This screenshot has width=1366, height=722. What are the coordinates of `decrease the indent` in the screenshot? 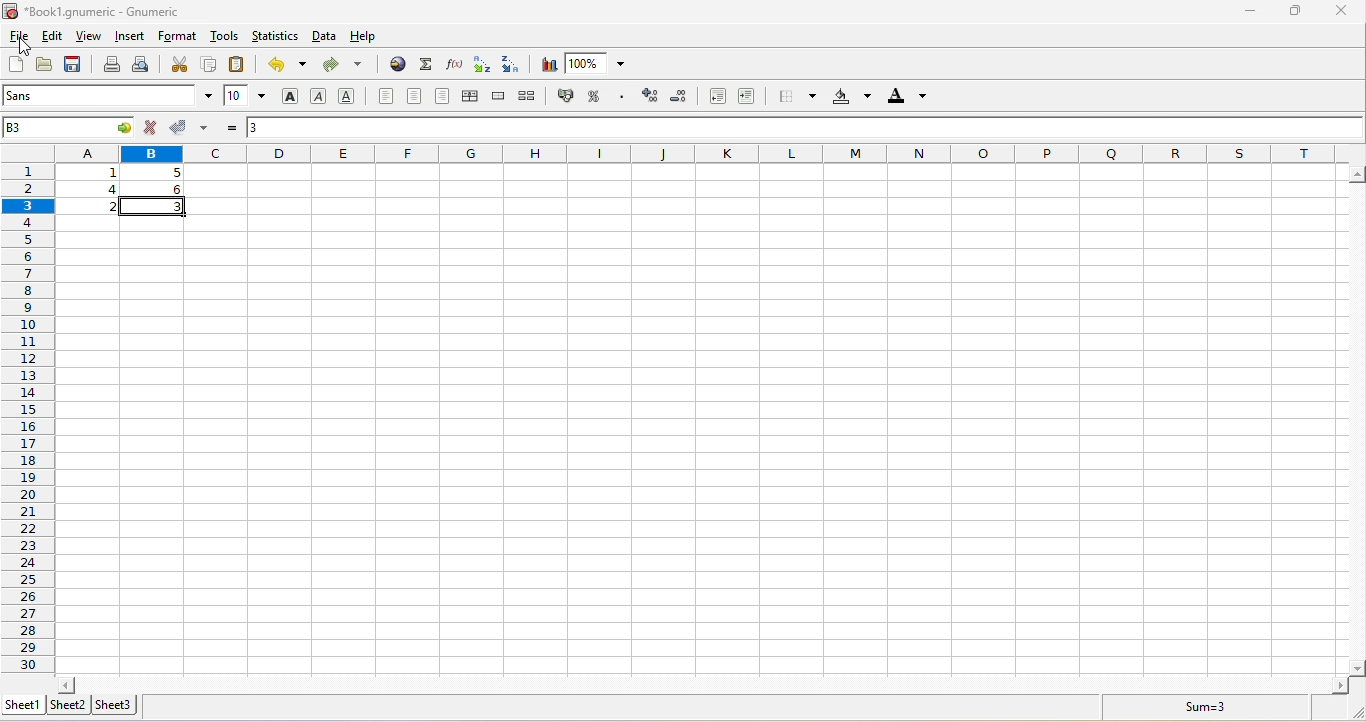 It's located at (713, 97).